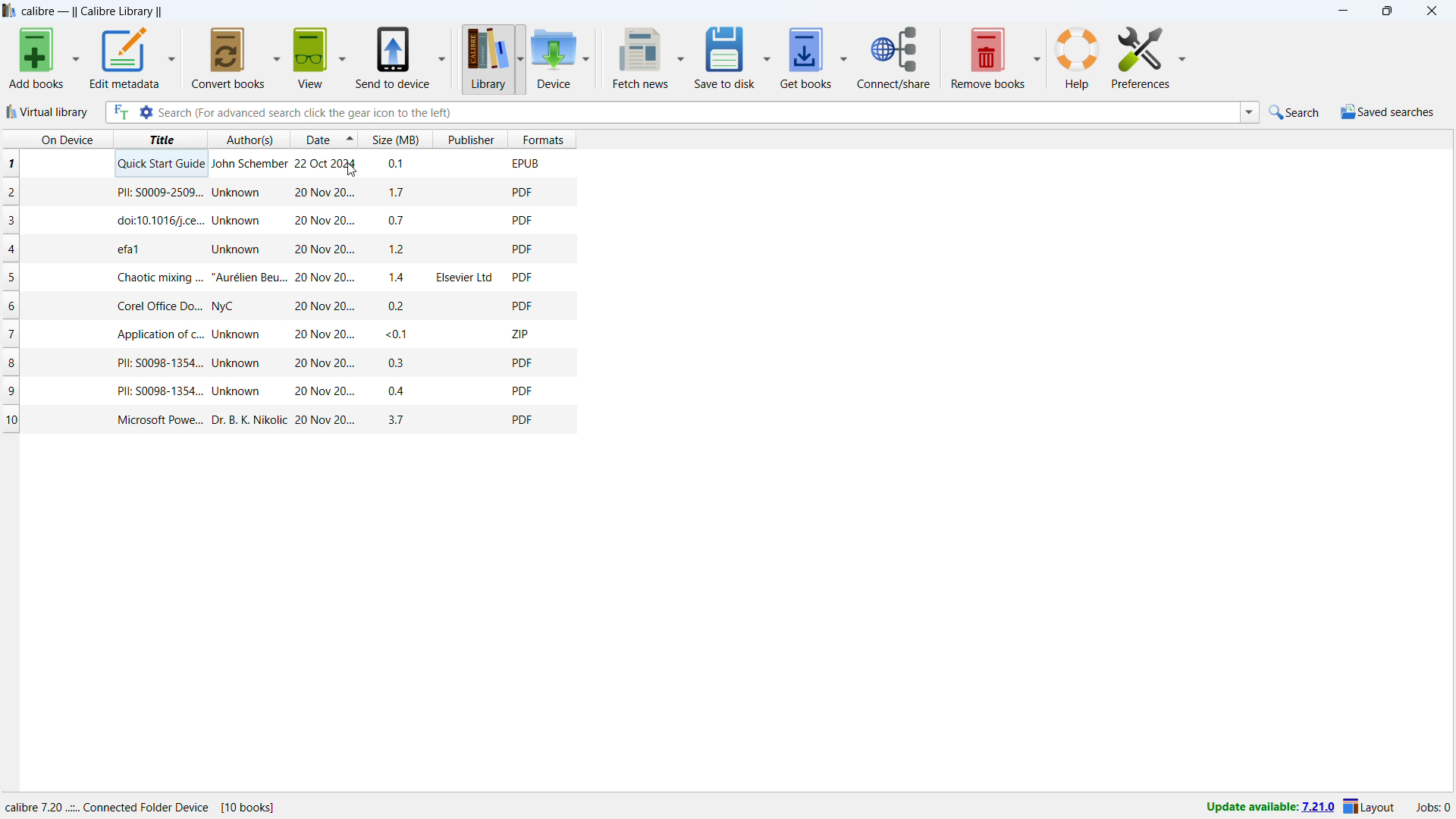 The width and height of the screenshot is (1456, 819). What do you see at coordinates (1431, 11) in the screenshot?
I see `close` at bounding box center [1431, 11].